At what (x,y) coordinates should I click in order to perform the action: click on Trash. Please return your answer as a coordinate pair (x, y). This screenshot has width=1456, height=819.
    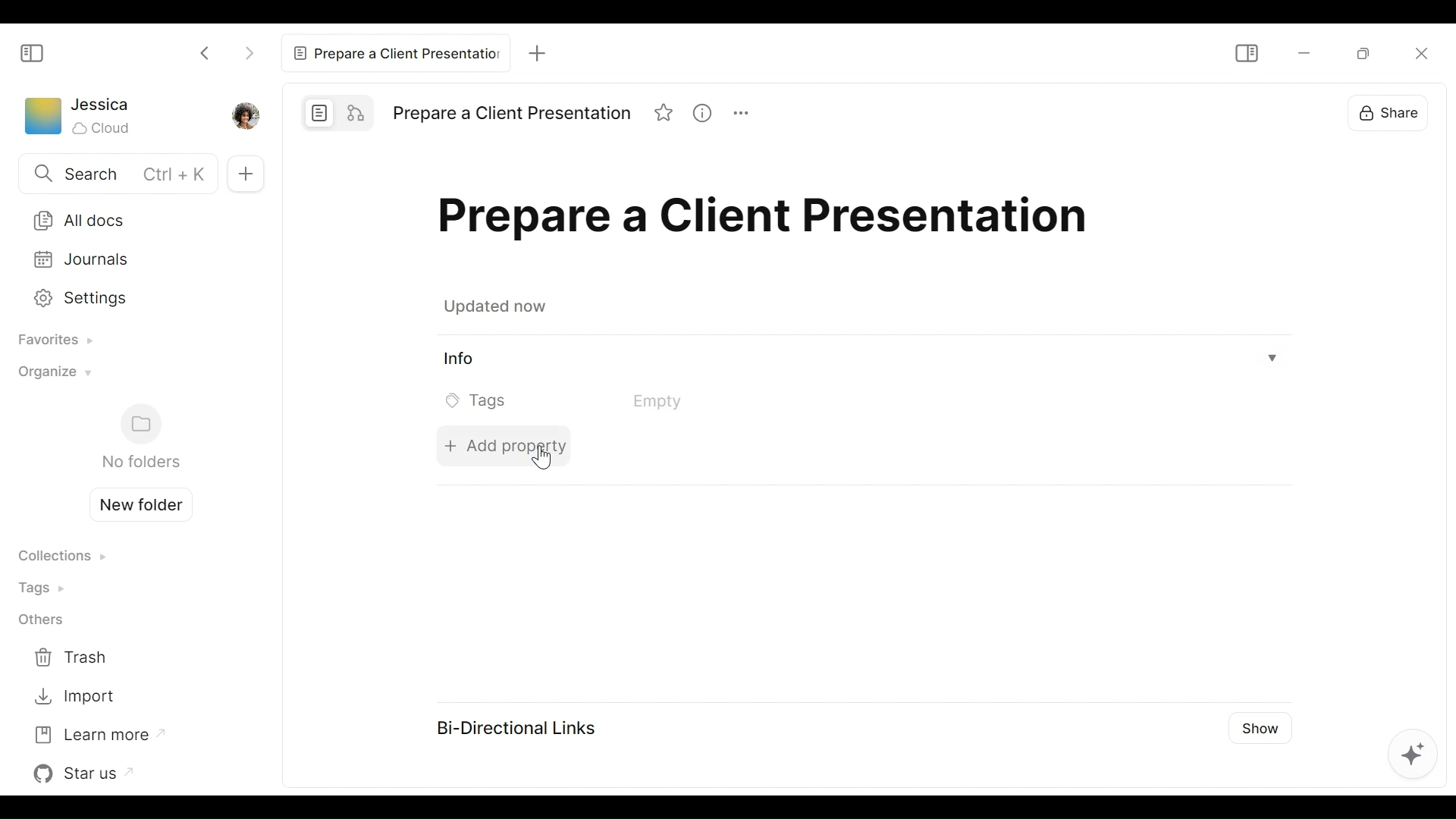
    Looking at the image, I should click on (74, 658).